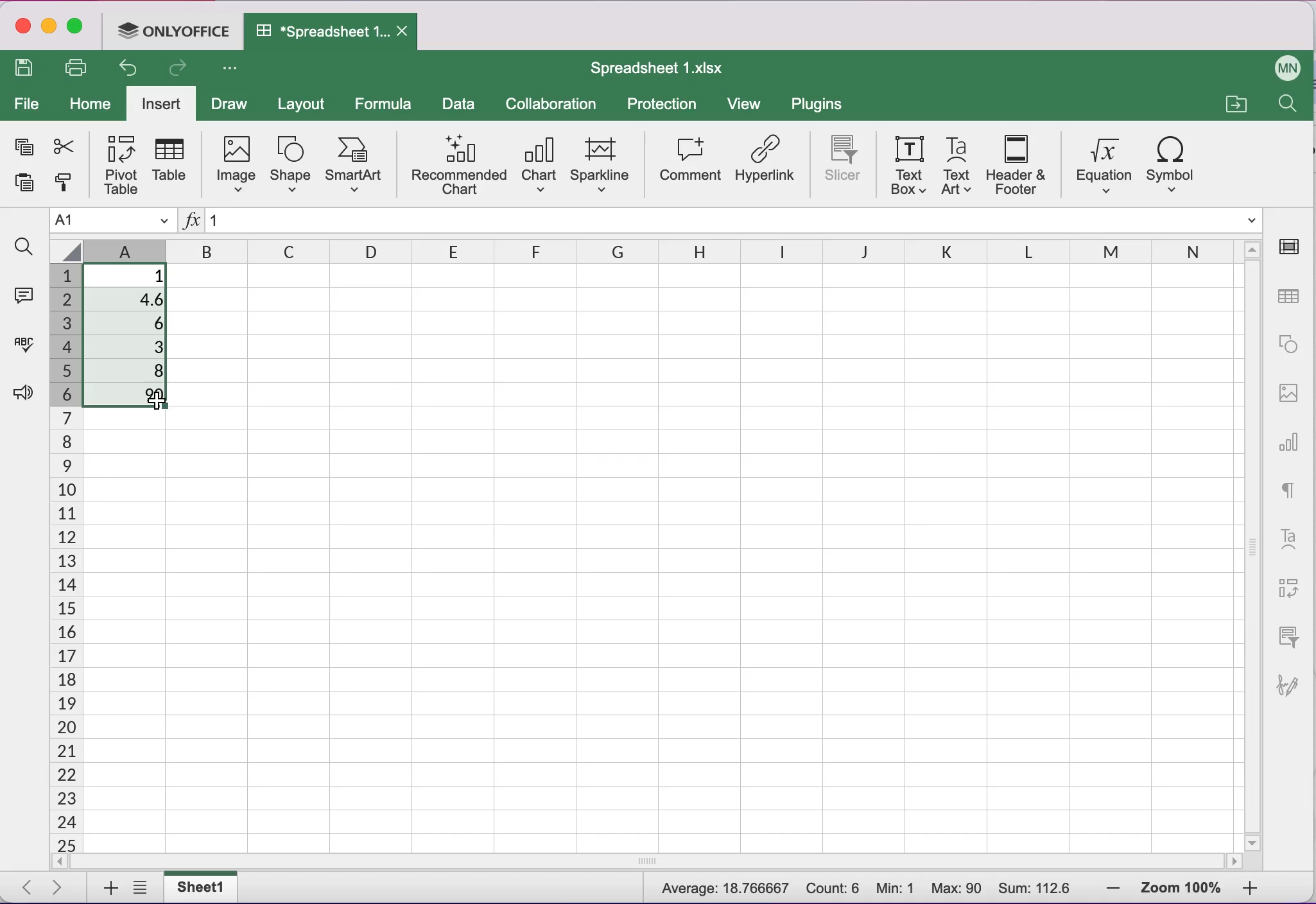 The width and height of the screenshot is (1316, 904). I want to click on zoom percentage, so click(1182, 887).